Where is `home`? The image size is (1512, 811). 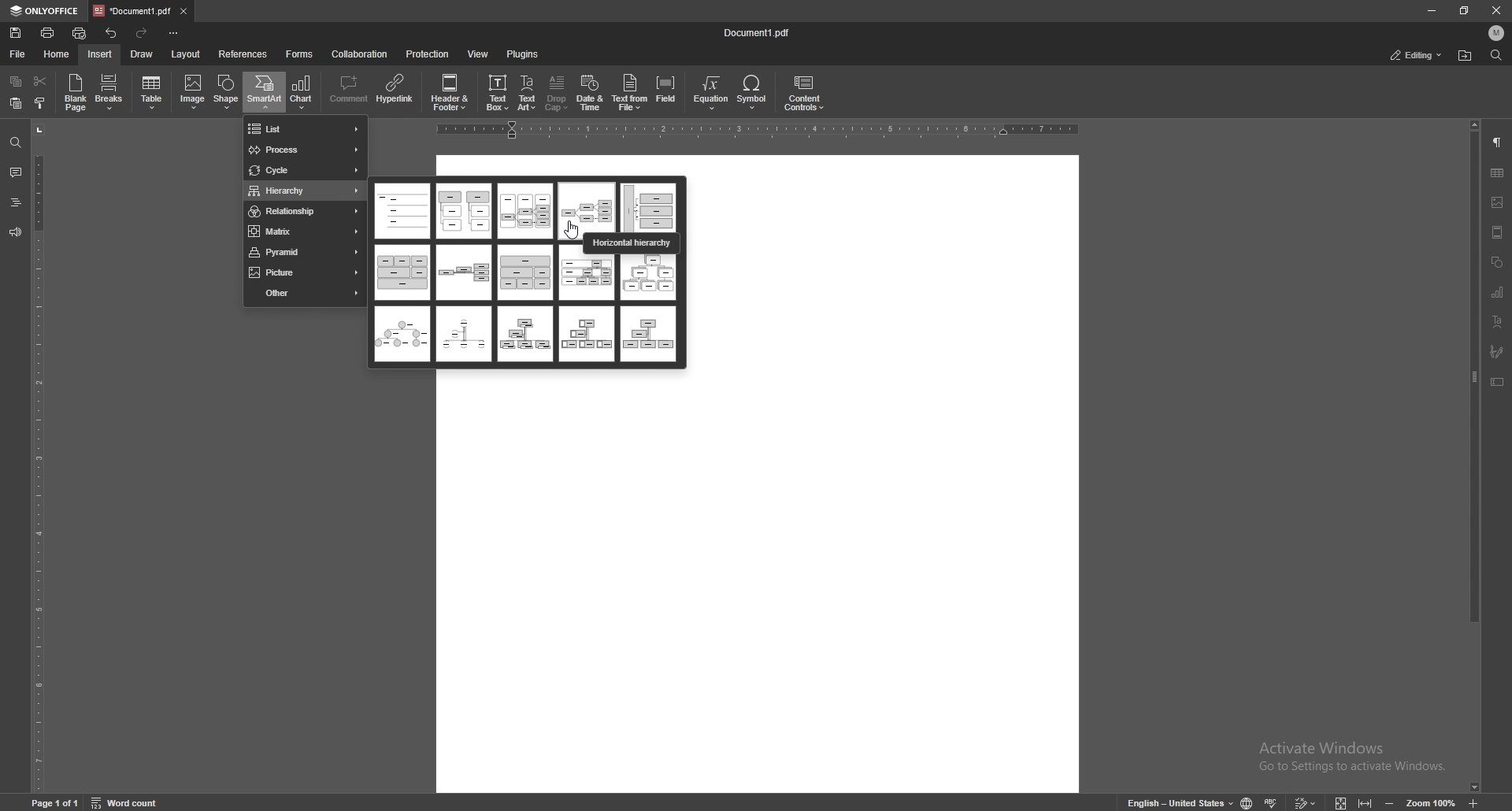
home is located at coordinates (57, 54).